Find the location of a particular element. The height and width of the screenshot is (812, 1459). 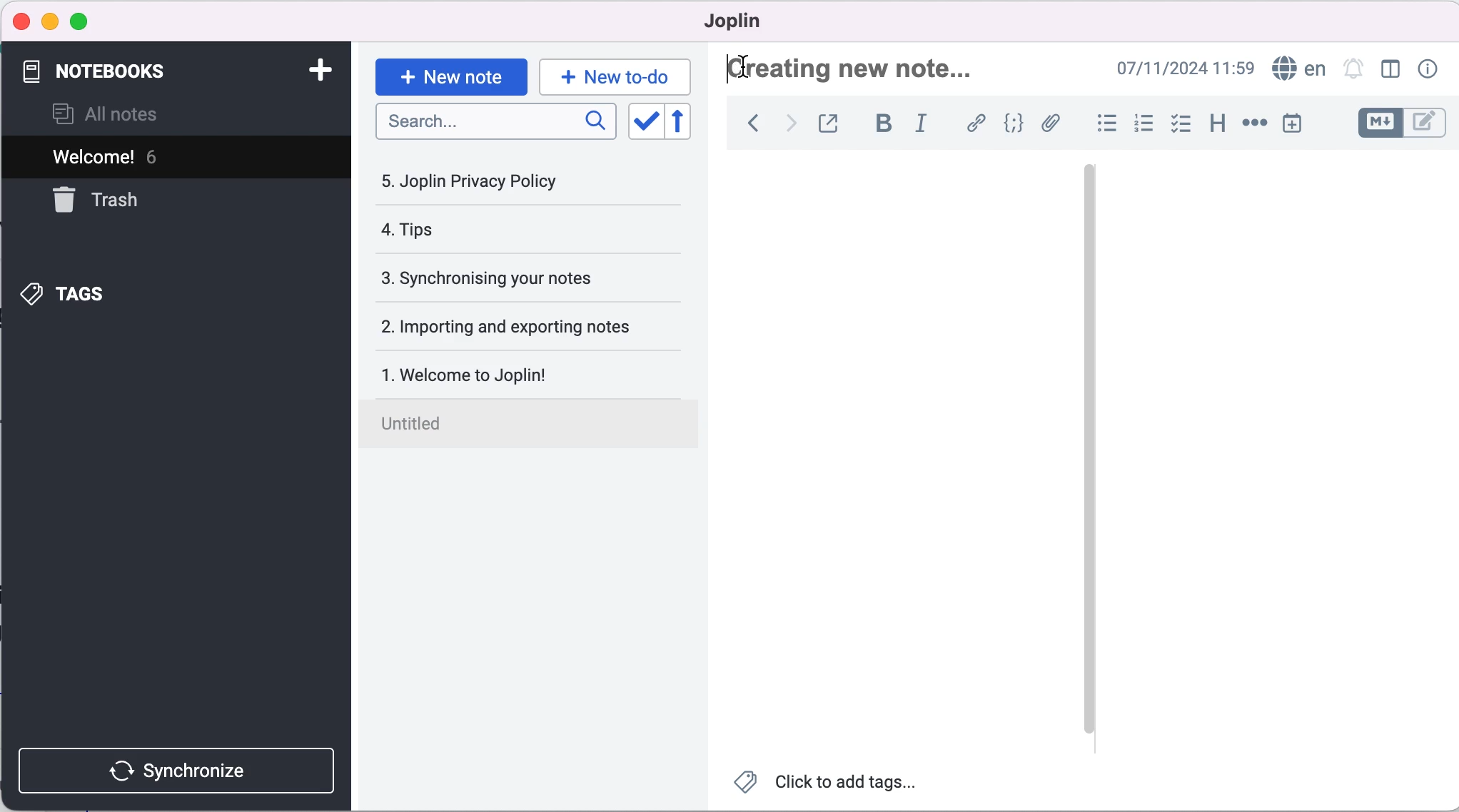

importing and exporting notes is located at coordinates (523, 325).